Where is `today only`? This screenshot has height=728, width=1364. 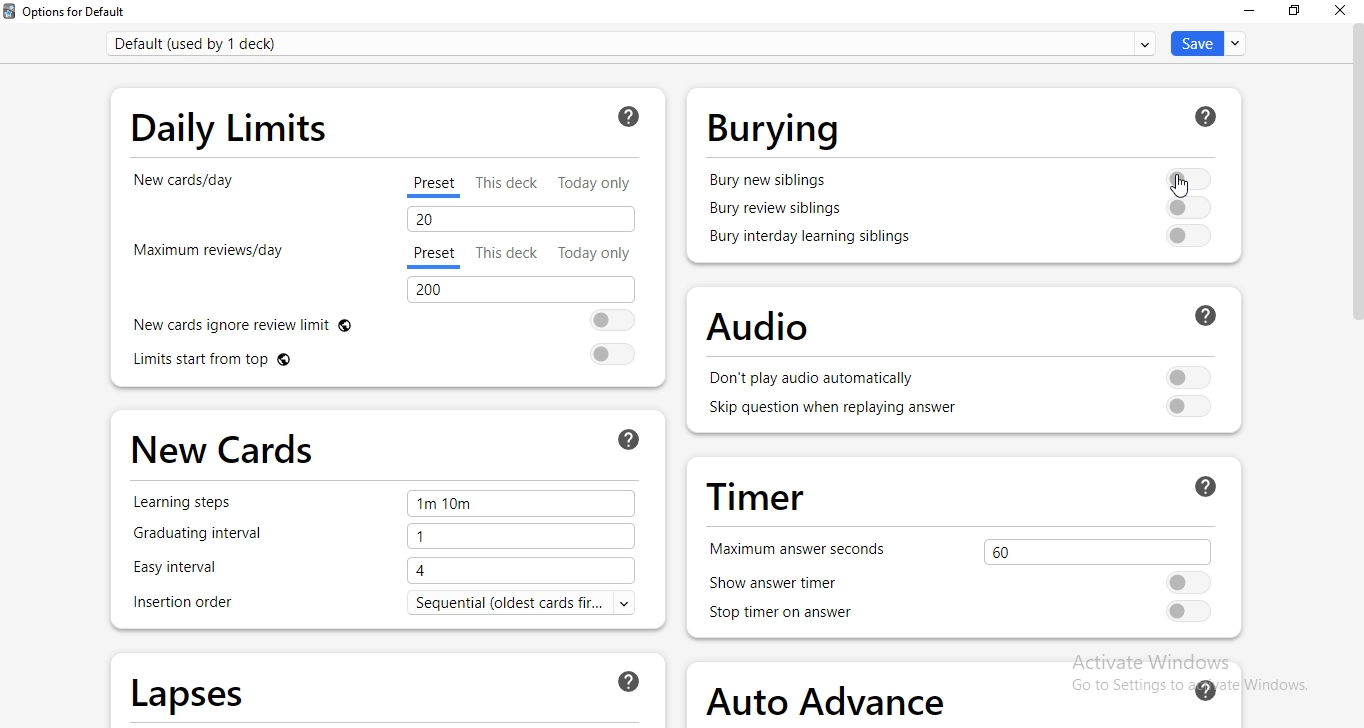 today only is located at coordinates (593, 253).